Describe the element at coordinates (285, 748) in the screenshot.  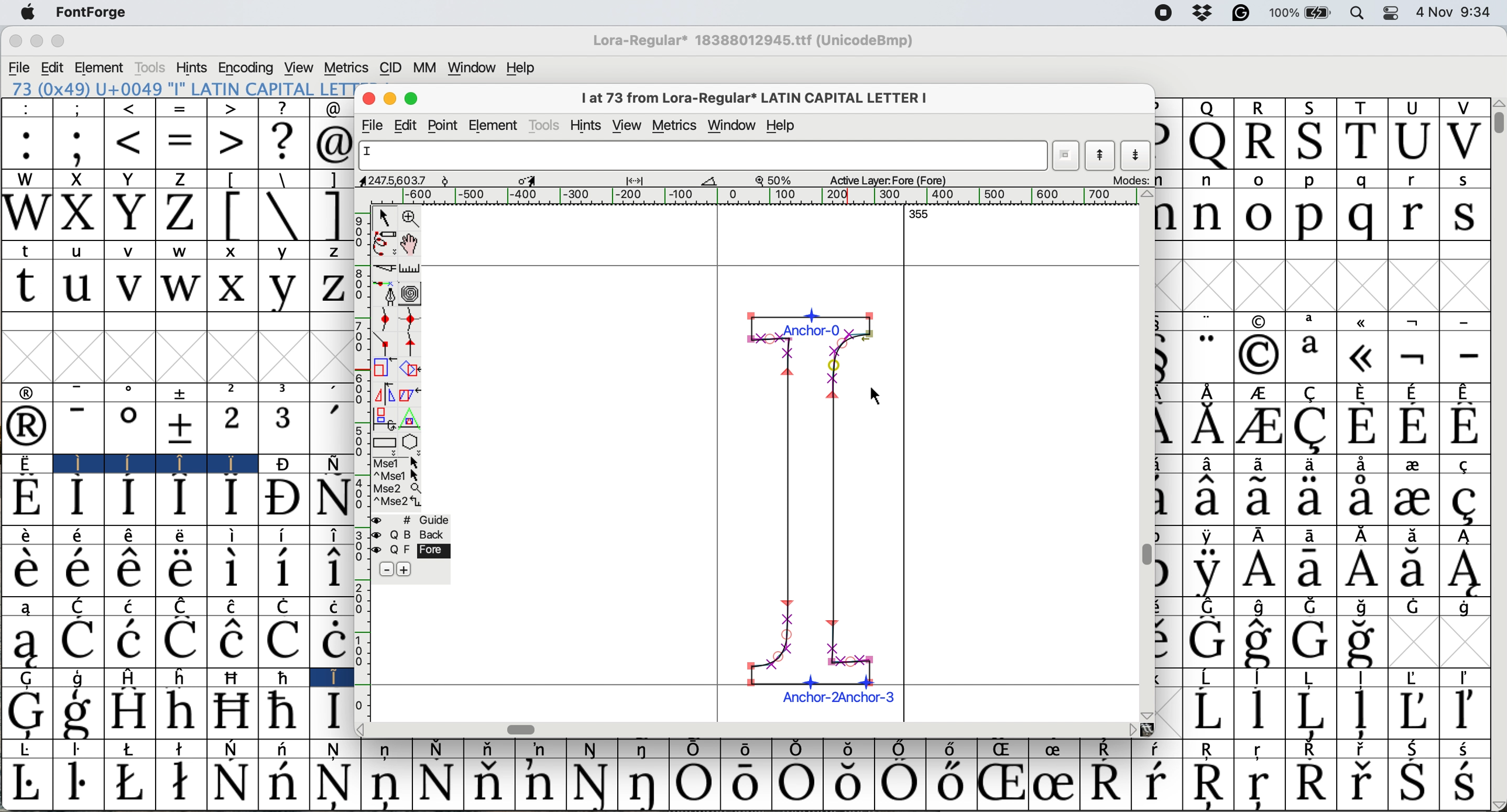
I see `Symbol` at that location.